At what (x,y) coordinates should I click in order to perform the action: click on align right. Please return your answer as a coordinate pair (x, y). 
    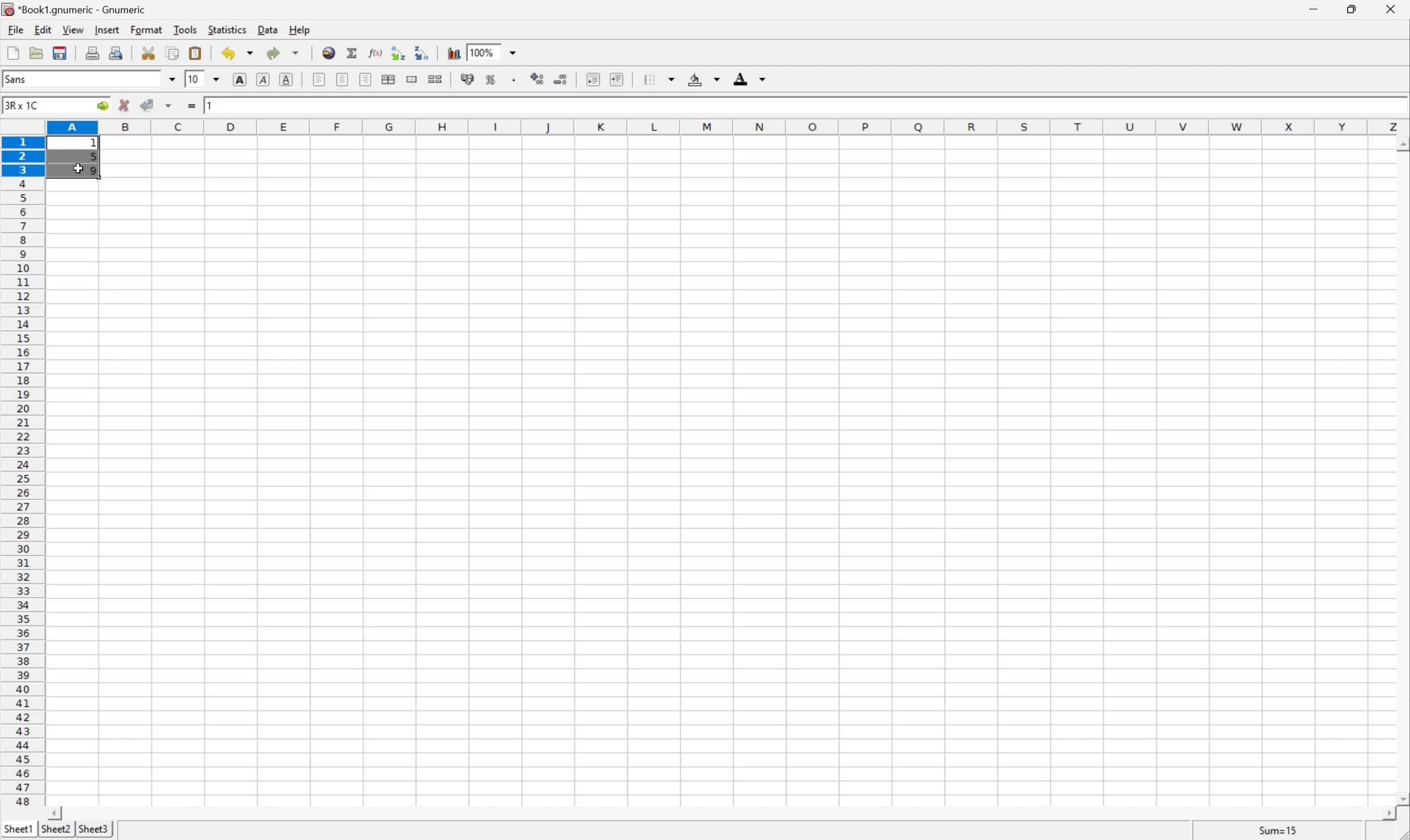
    Looking at the image, I should click on (367, 79).